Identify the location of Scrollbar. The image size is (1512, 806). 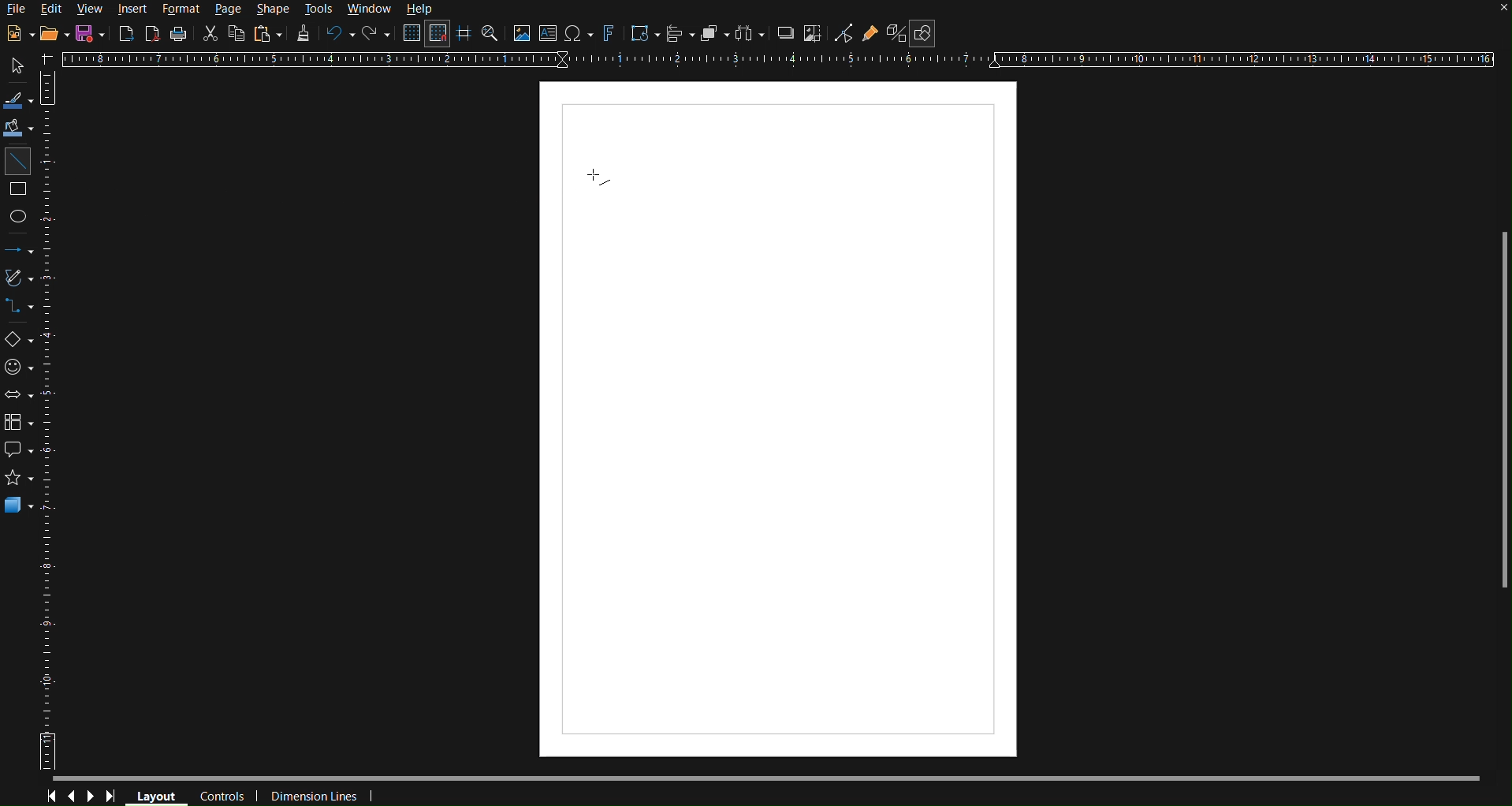
(1502, 411).